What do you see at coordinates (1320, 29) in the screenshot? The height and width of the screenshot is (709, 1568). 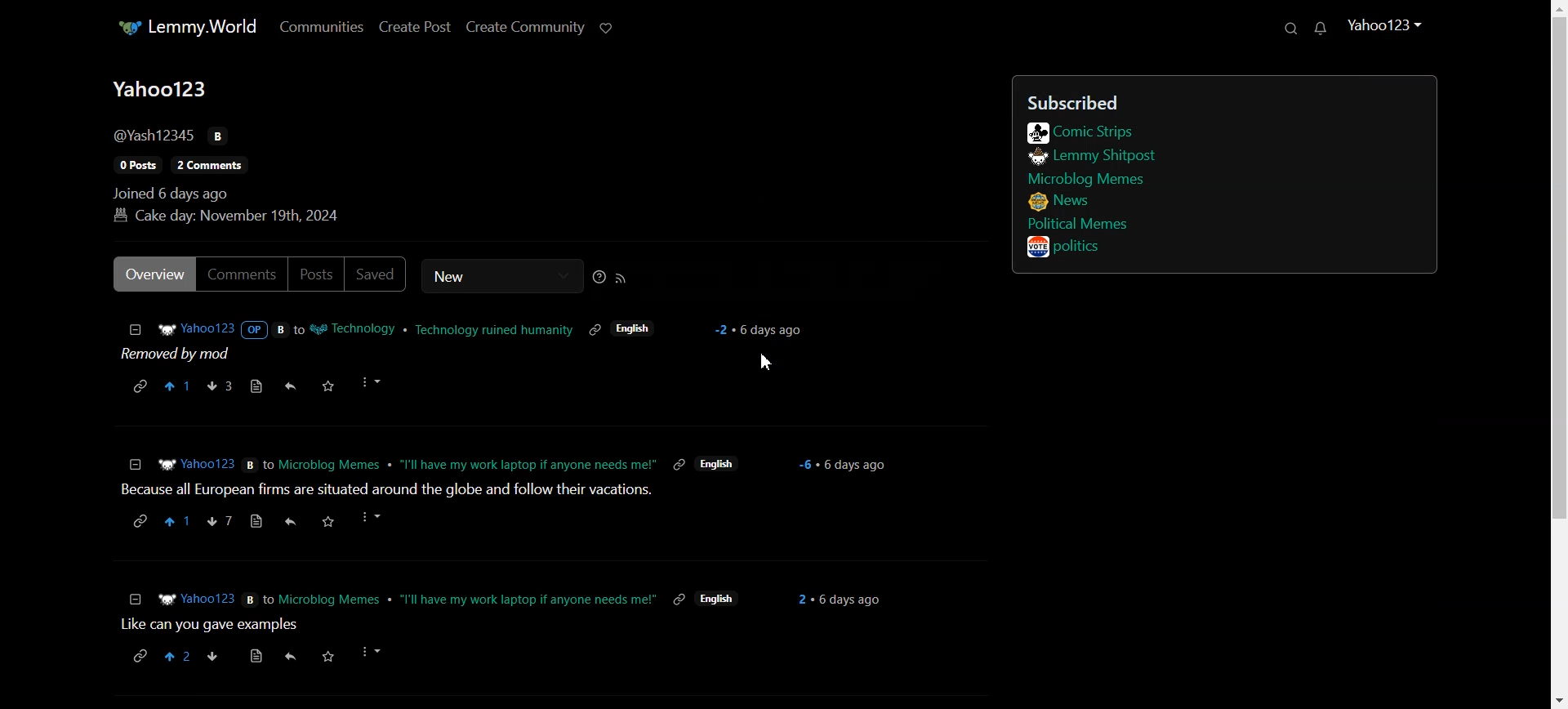 I see `notifications` at bounding box center [1320, 29].